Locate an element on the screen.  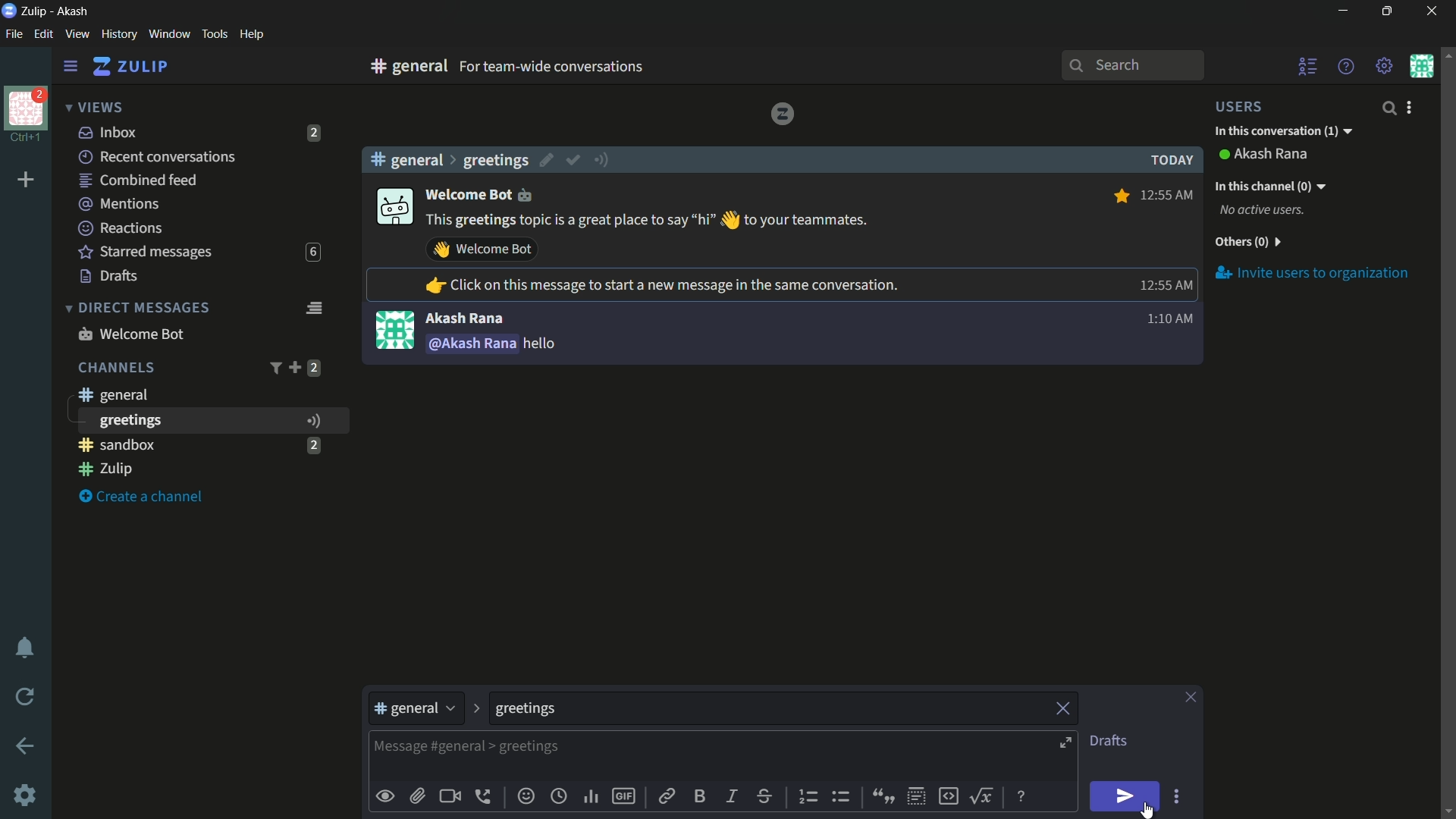
mark as resolved is located at coordinates (575, 161).